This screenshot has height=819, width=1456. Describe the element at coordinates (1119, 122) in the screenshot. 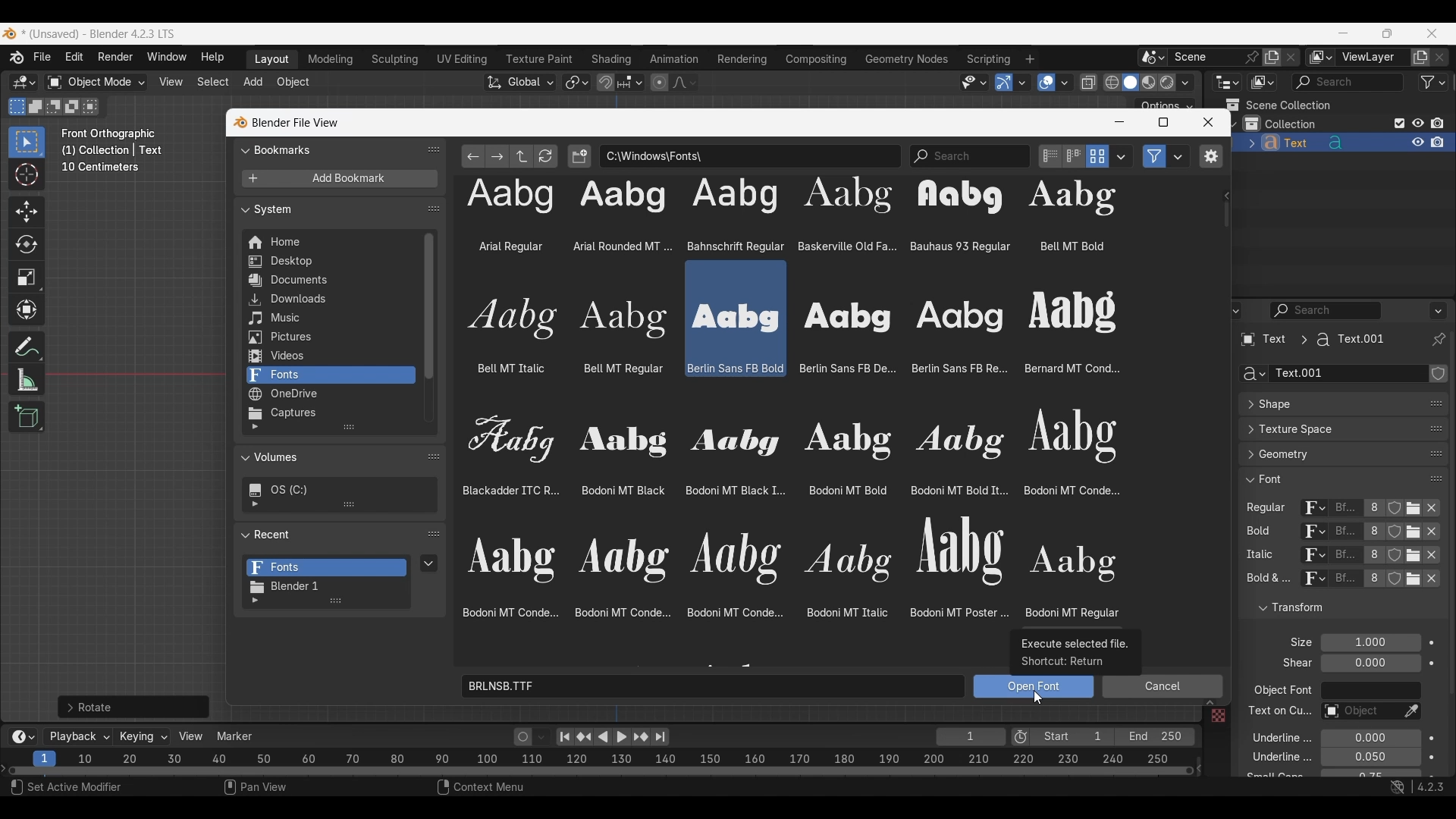

I see `Minimize` at that location.